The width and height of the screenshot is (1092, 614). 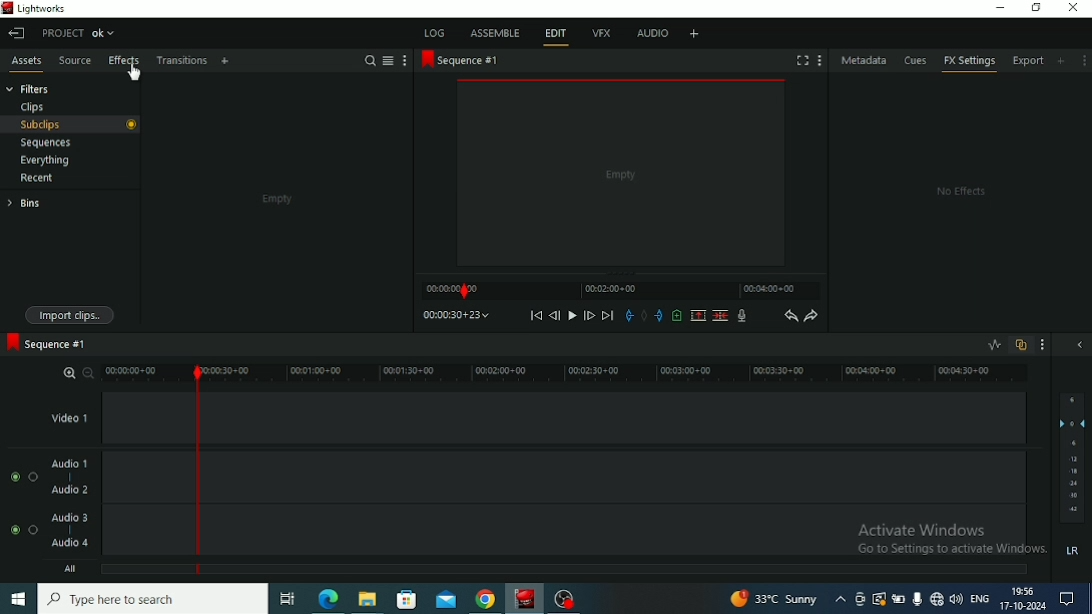 What do you see at coordinates (46, 202) in the screenshot?
I see `Bins` at bounding box center [46, 202].